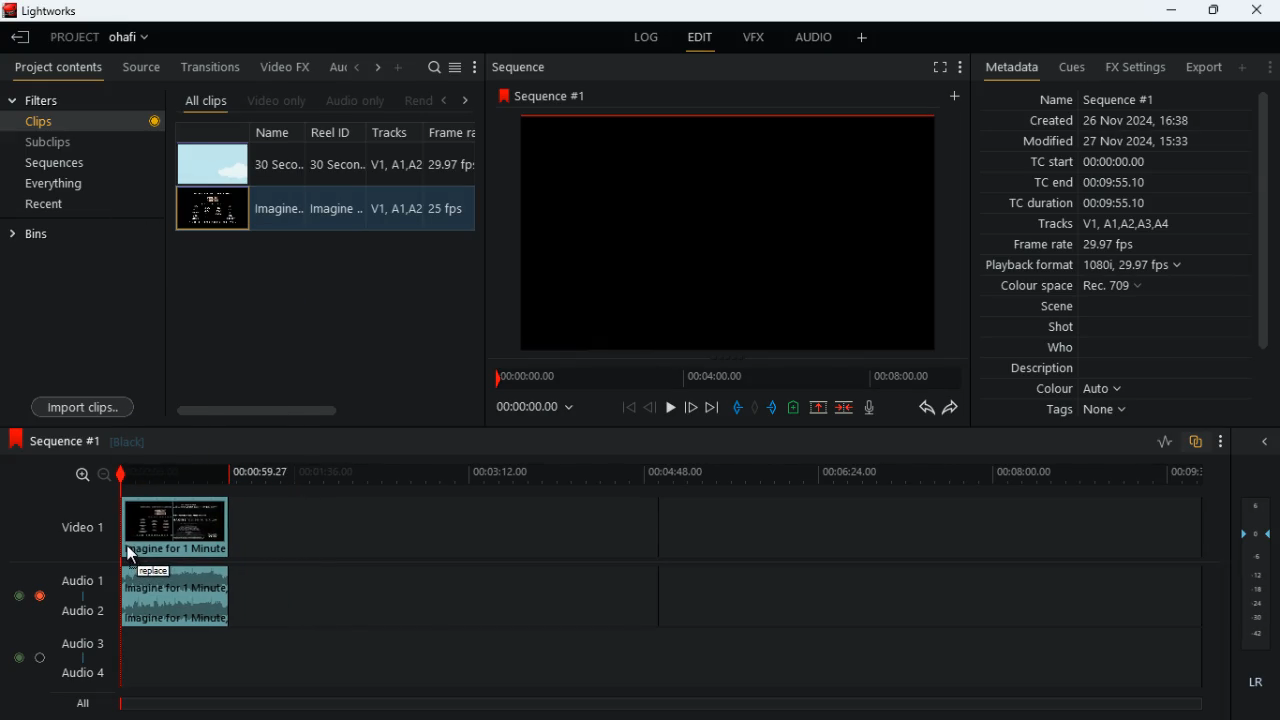  I want to click on forward, so click(690, 407).